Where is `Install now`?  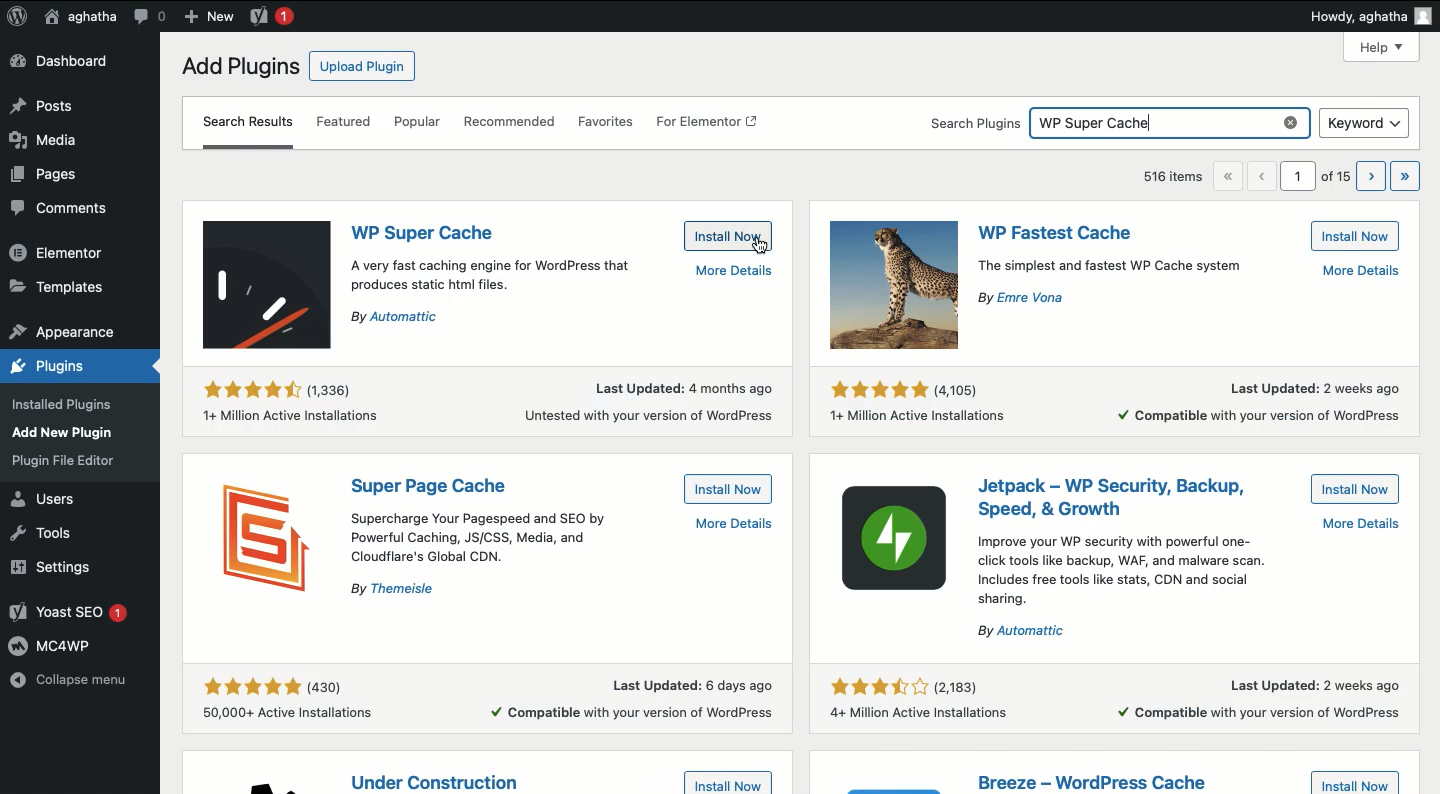
Install now is located at coordinates (1355, 489).